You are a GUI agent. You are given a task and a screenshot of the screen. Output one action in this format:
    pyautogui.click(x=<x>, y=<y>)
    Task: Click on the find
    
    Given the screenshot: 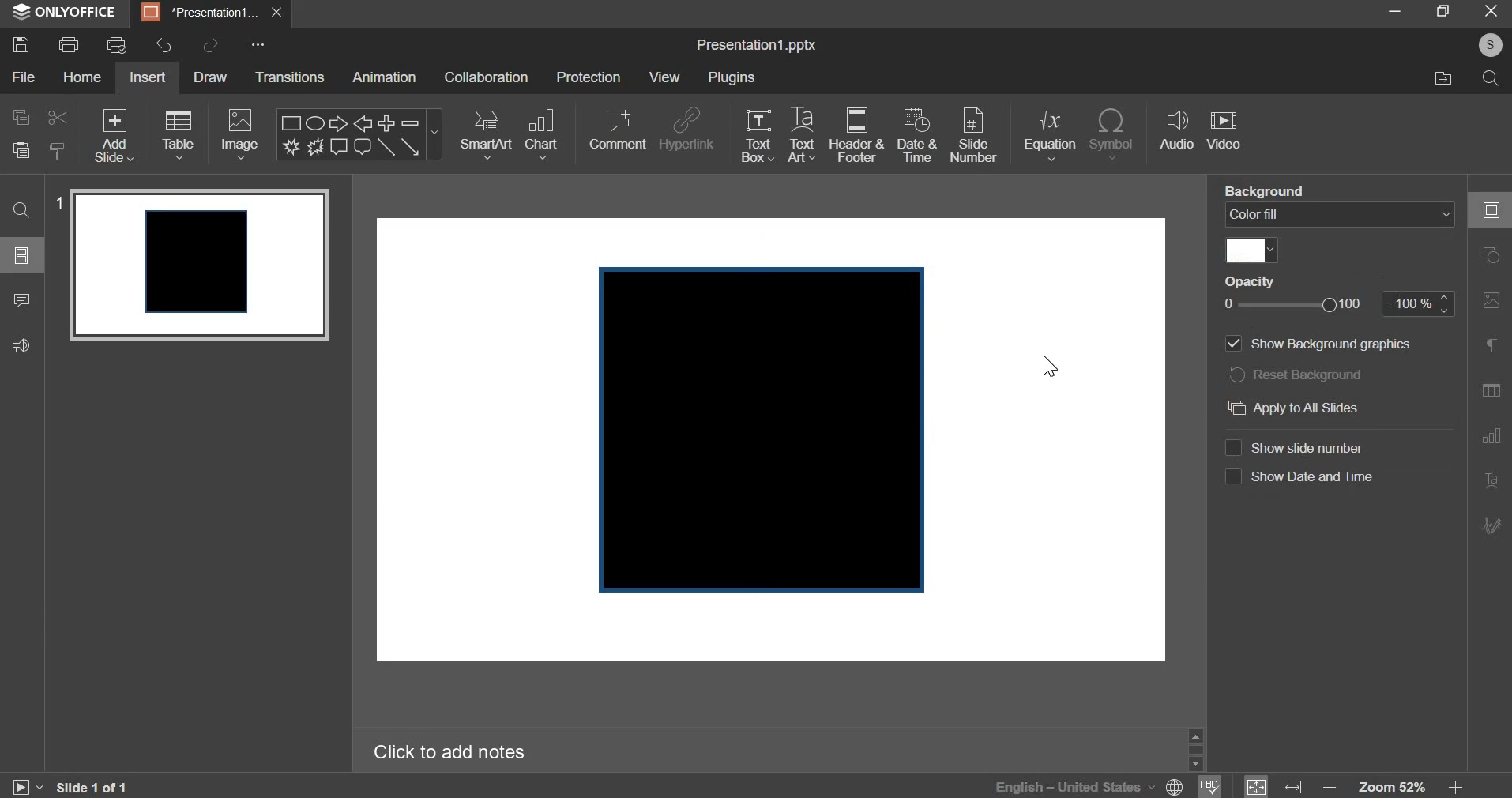 What is the action you would take?
    pyautogui.click(x=22, y=209)
    